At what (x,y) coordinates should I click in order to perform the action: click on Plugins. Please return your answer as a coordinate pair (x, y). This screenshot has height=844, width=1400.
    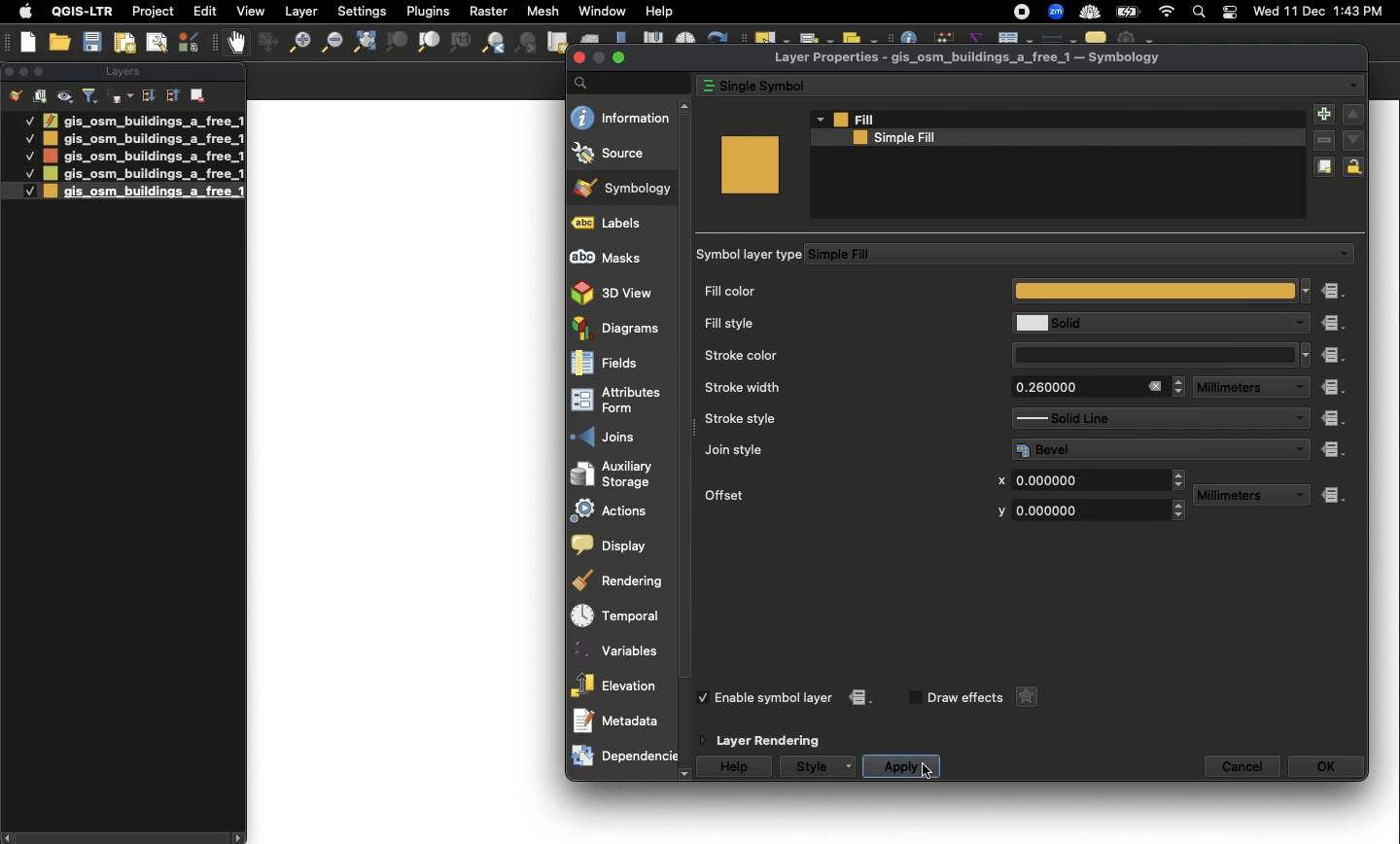
    Looking at the image, I should click on (426, 10).